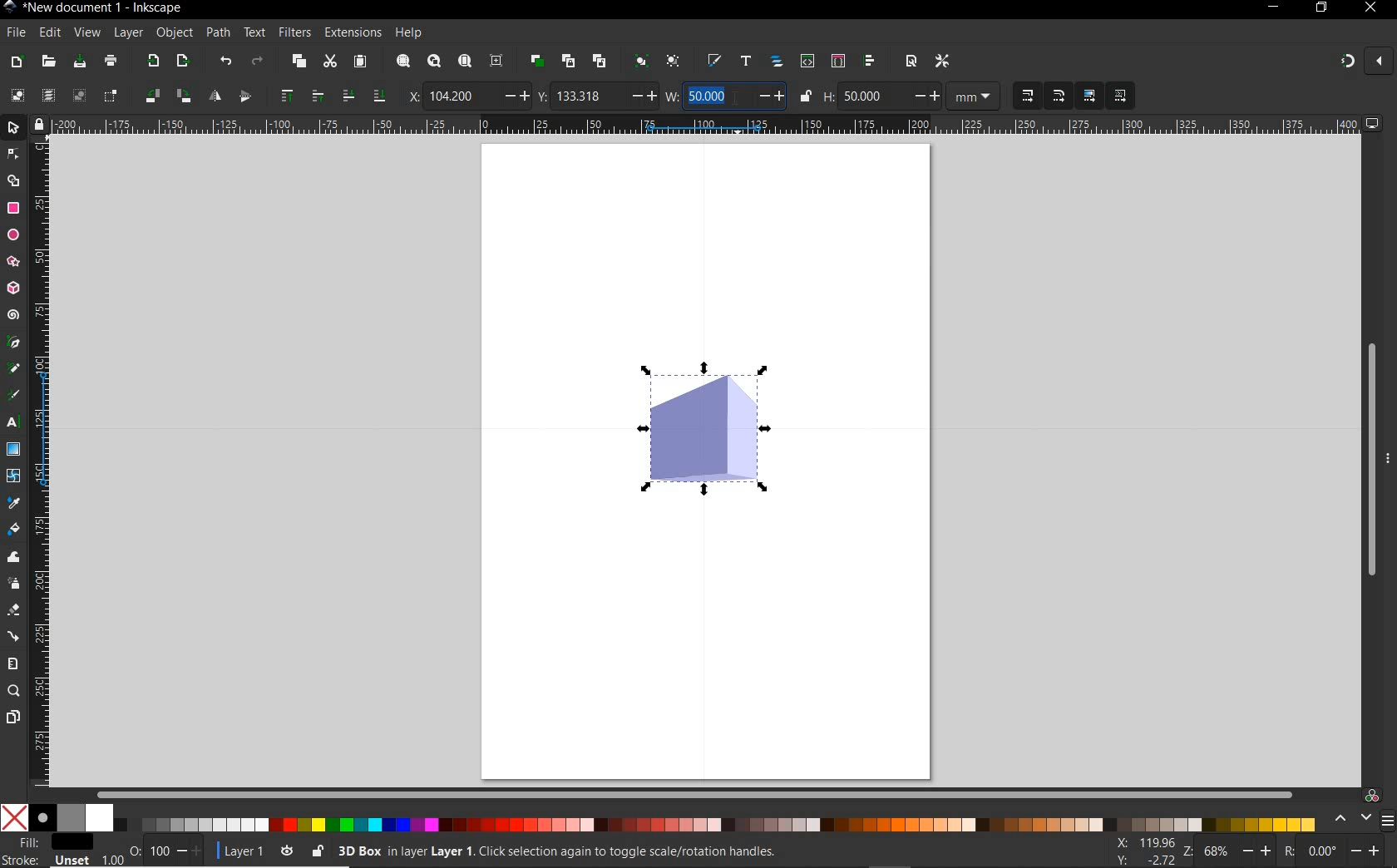 Image resolution: width=1397 pixels, height=868 pixels. What do you see at coordinates (254, 32) in the screenshot?
I see `text` at bounding box center [254, 32].